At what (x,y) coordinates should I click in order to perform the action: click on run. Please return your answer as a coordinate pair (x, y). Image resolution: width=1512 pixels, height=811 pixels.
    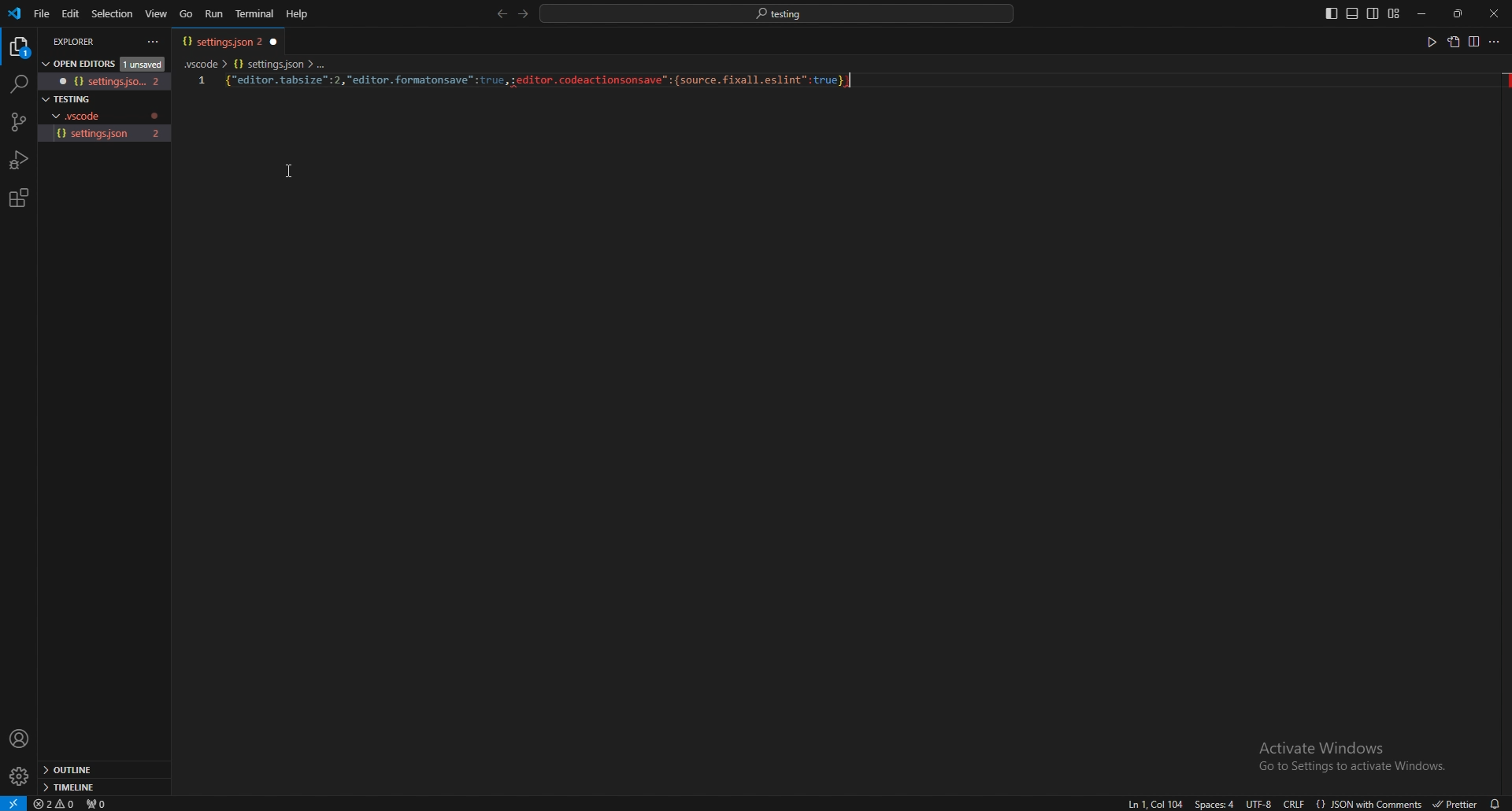
    Looking at the image, I should click on (1428, 43).